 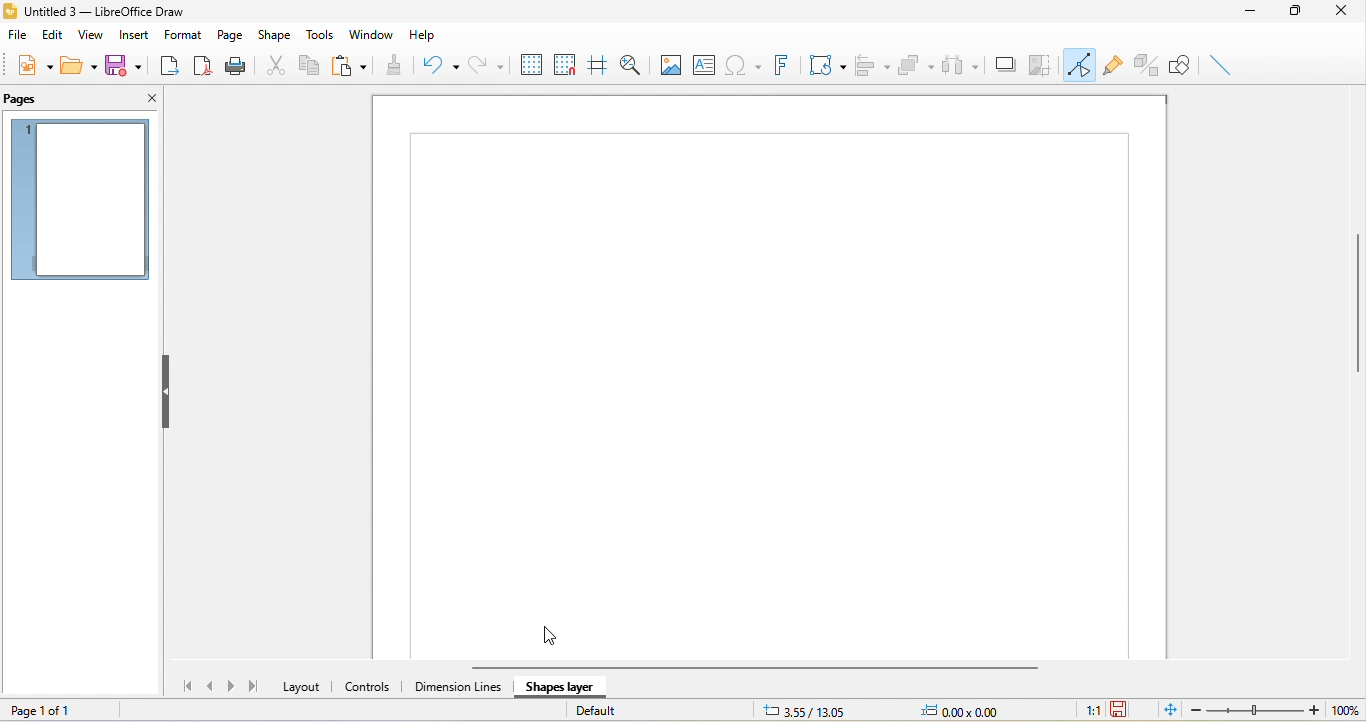 I want to click on 0.00x0.00, so click(x=975, y=710).